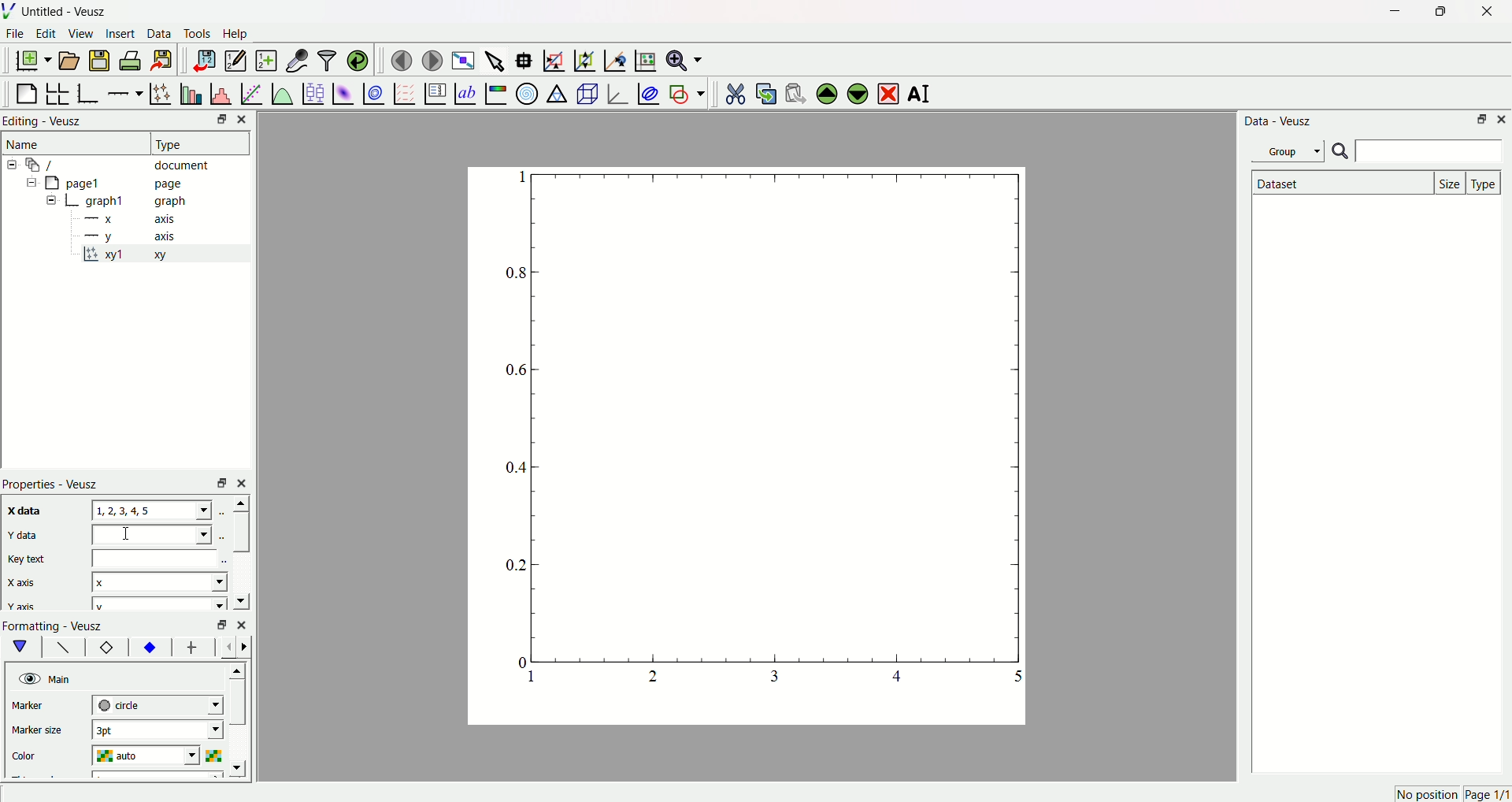 This screenshot has width=1512, height=802. I want to click on import datasets, so click(204, 60).